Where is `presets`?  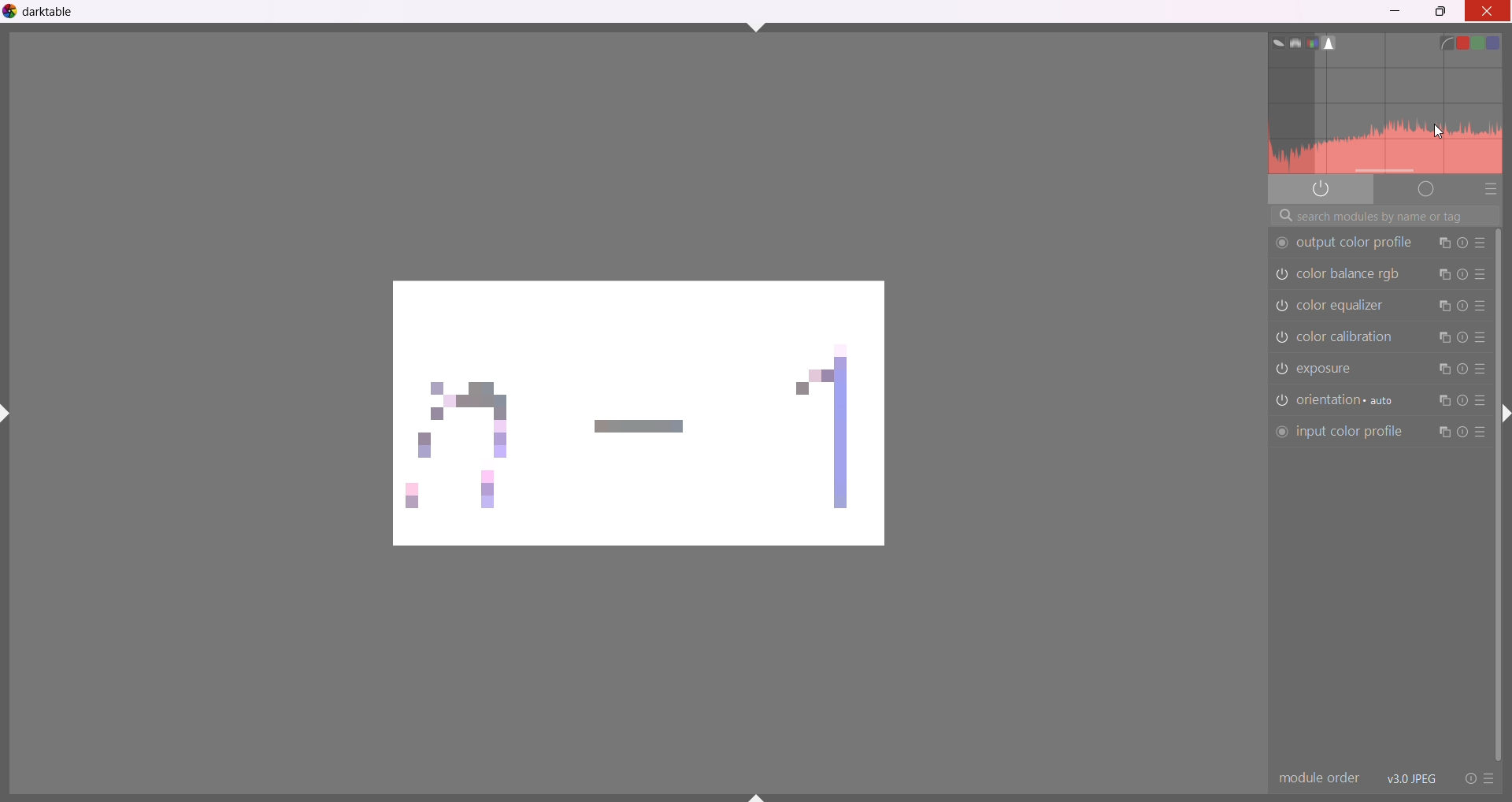
presets is located at coordinates (1482, 337).